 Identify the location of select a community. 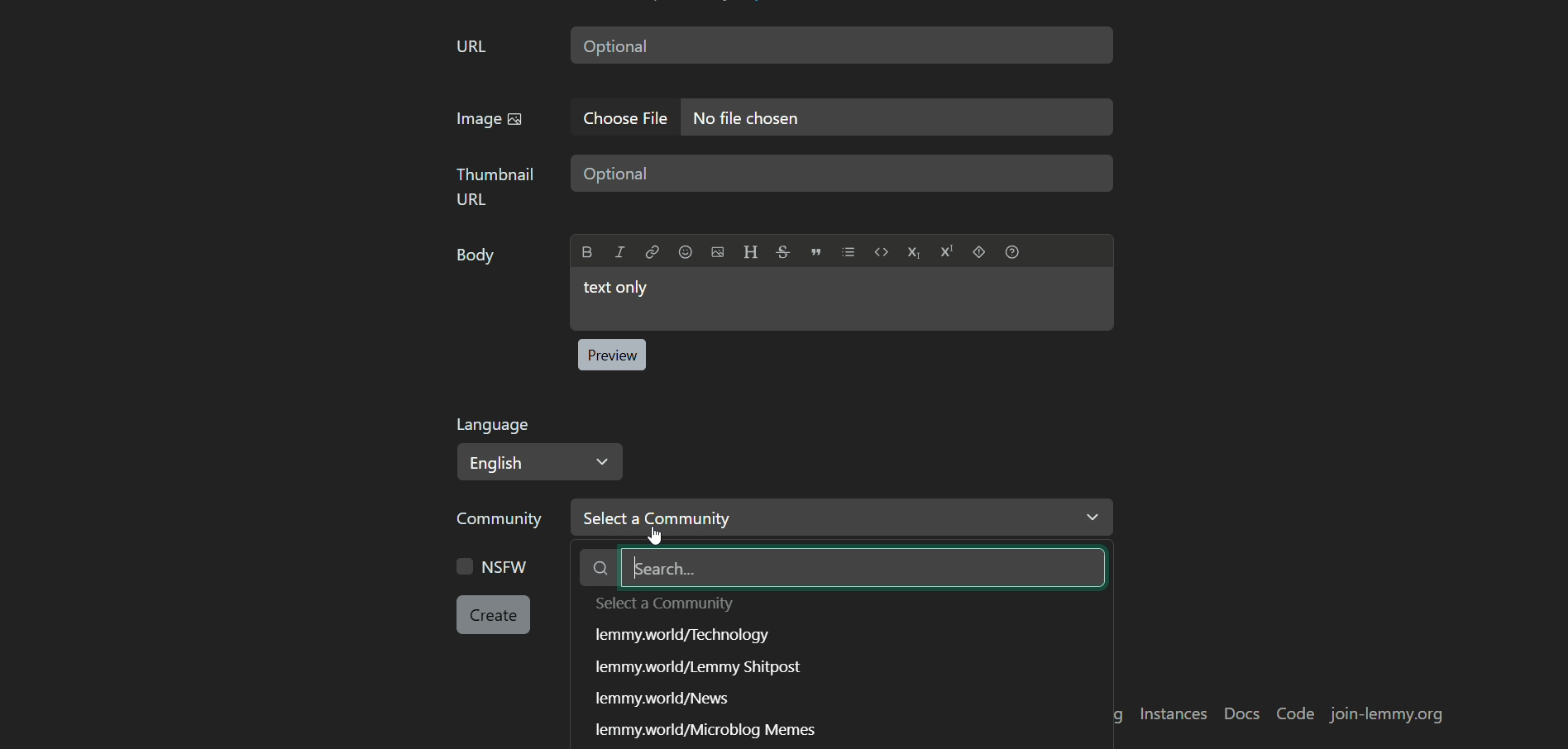
(928, 518).